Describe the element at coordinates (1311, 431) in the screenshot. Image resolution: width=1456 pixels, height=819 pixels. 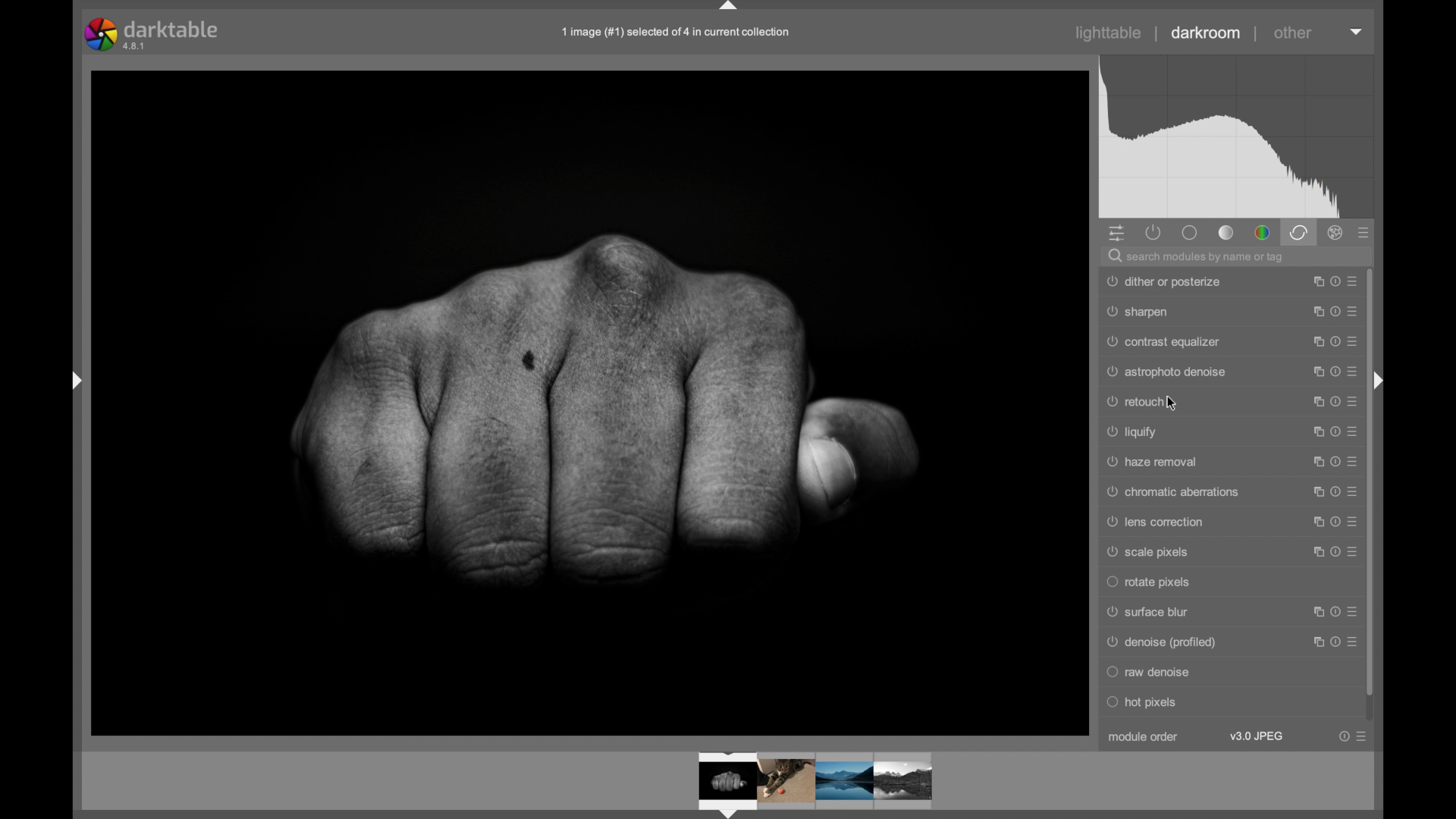
I see `maximize` at that location.